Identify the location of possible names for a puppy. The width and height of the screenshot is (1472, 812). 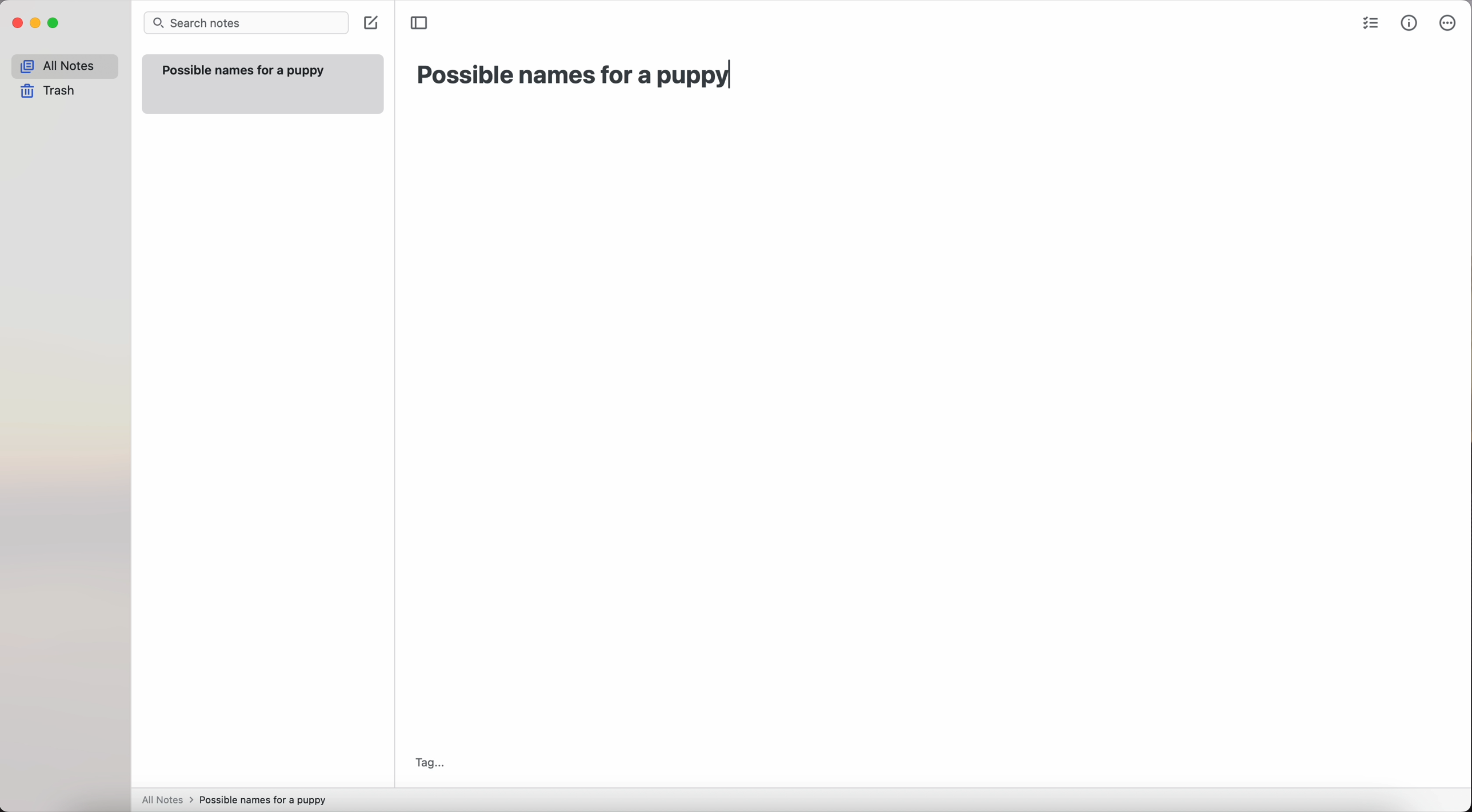
(574, 77).